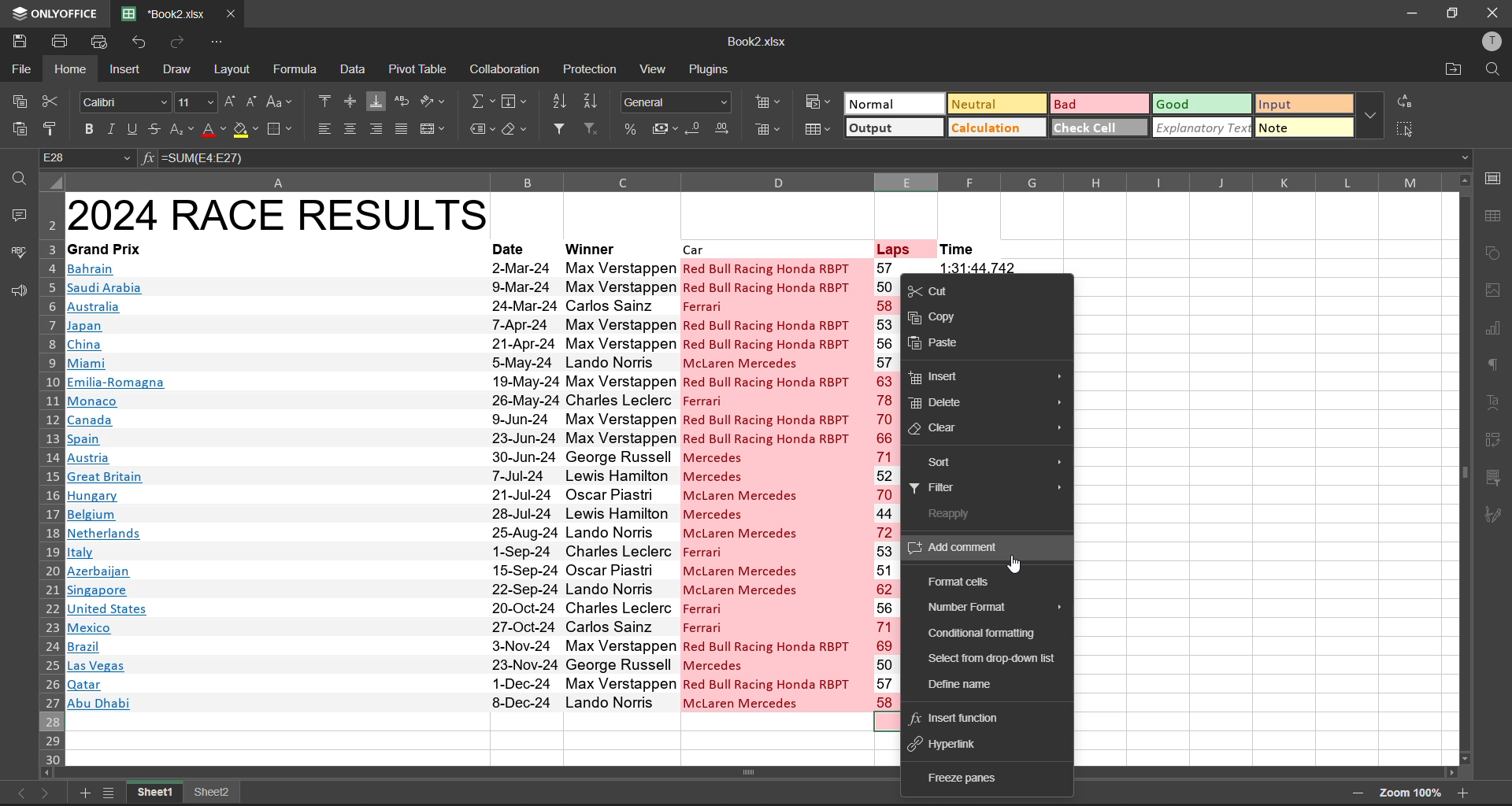  Describe the element at coordinates (70, 70) in the screenshot. I see `home` at that location.